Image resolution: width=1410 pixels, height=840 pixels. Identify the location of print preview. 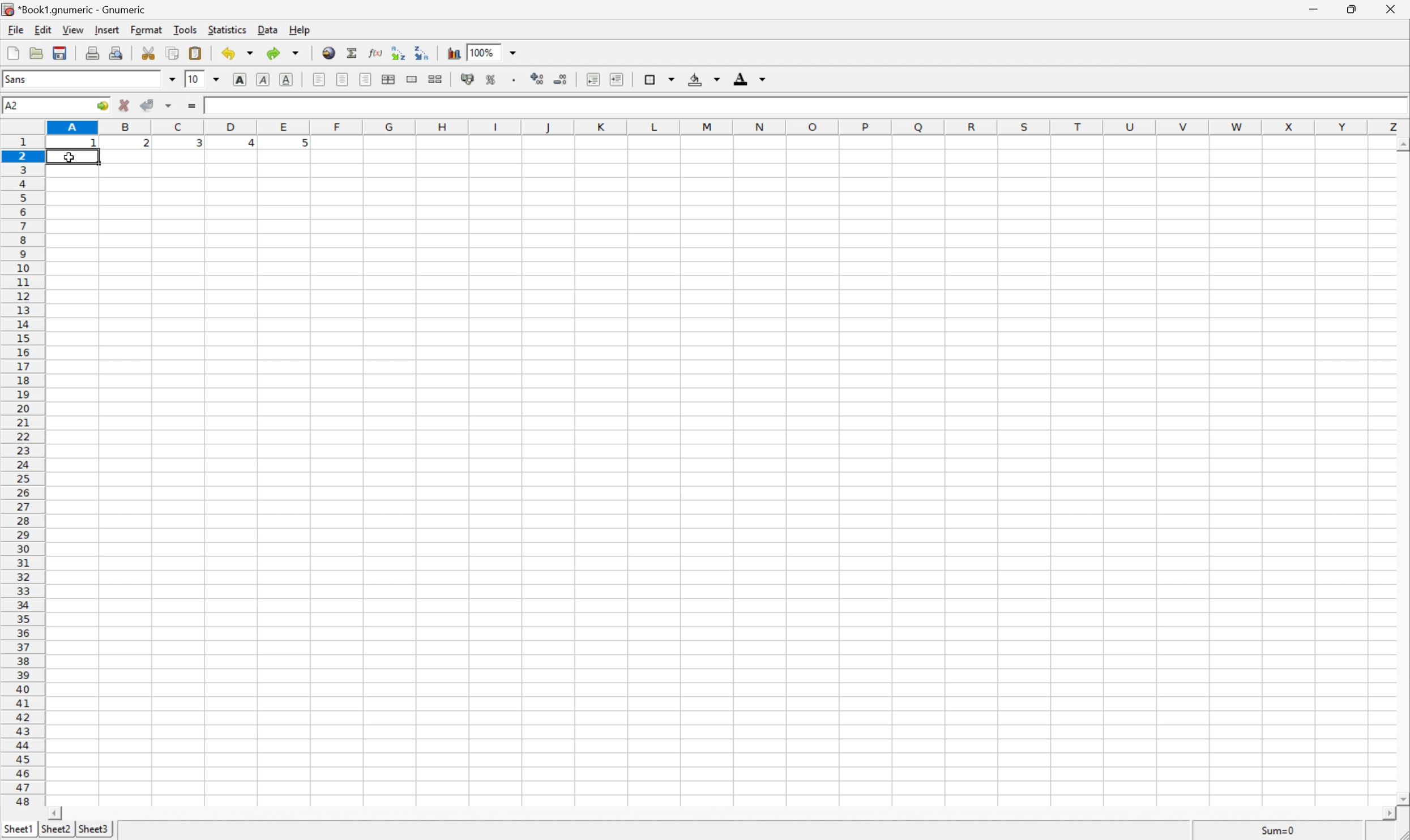
(117, 52).